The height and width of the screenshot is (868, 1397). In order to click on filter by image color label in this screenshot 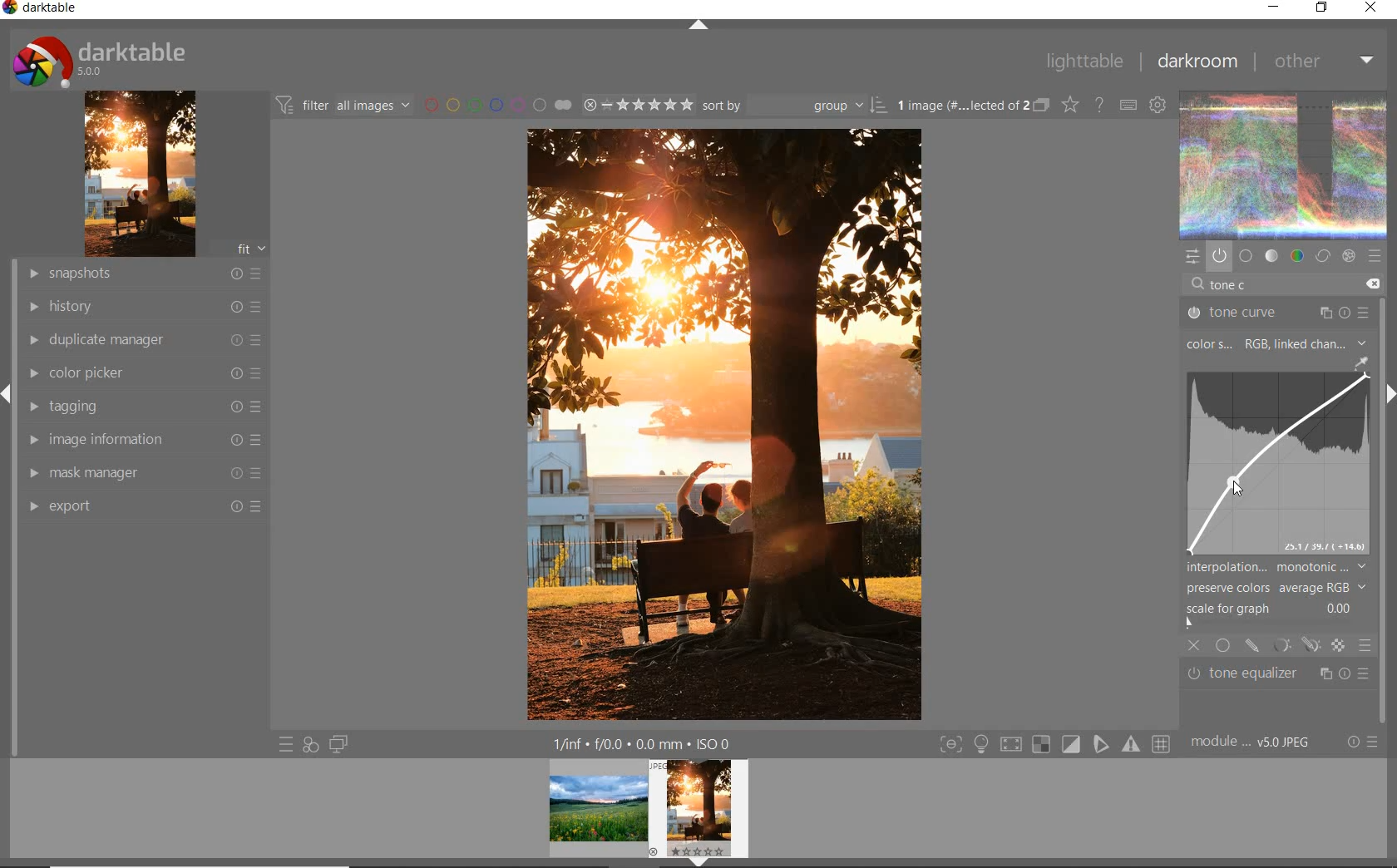, I will do `click(500, 104)`.